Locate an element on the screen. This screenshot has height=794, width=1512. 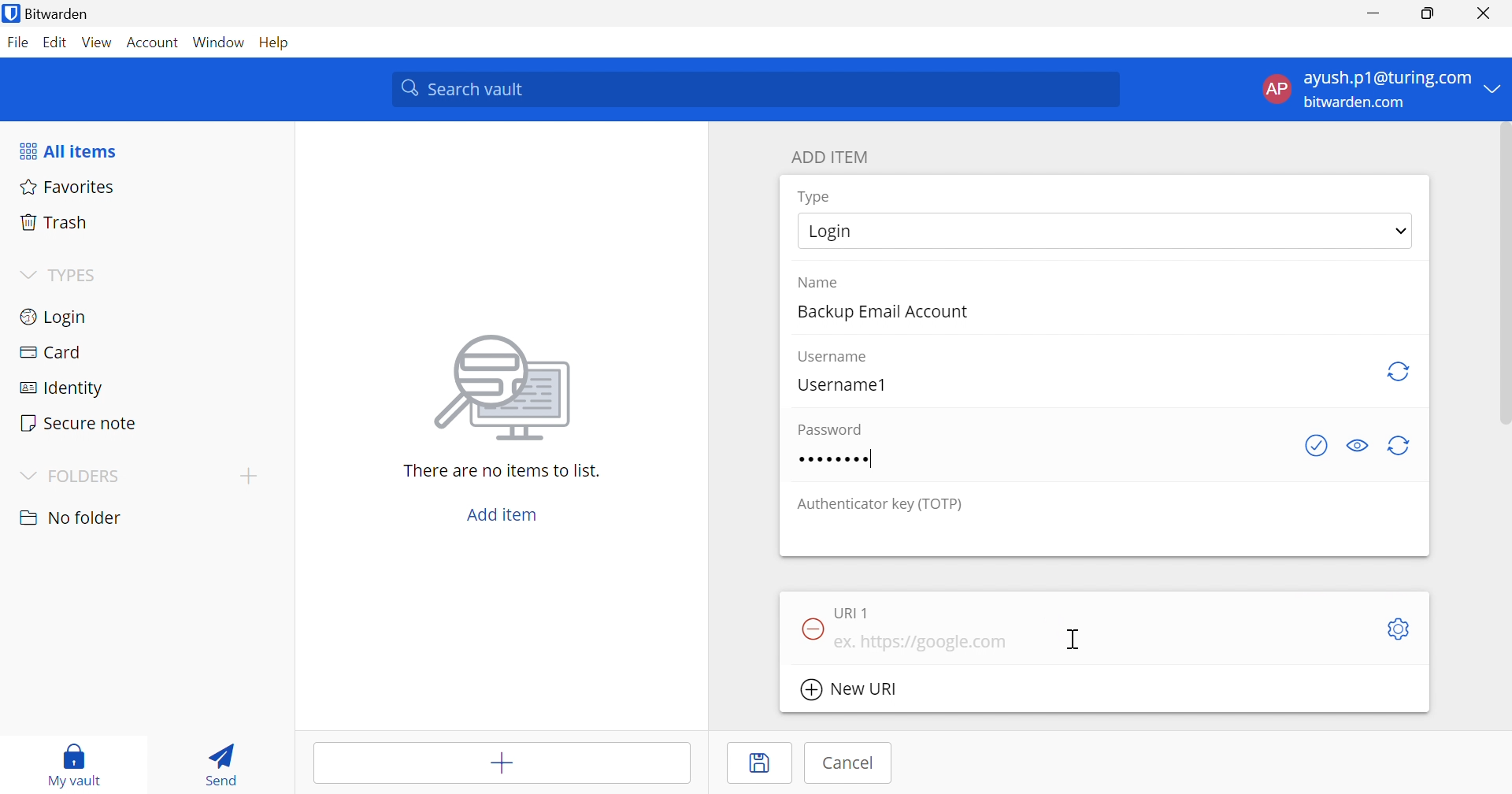
ayush.p1@gmail.com is located at coordinates (1385, 78).